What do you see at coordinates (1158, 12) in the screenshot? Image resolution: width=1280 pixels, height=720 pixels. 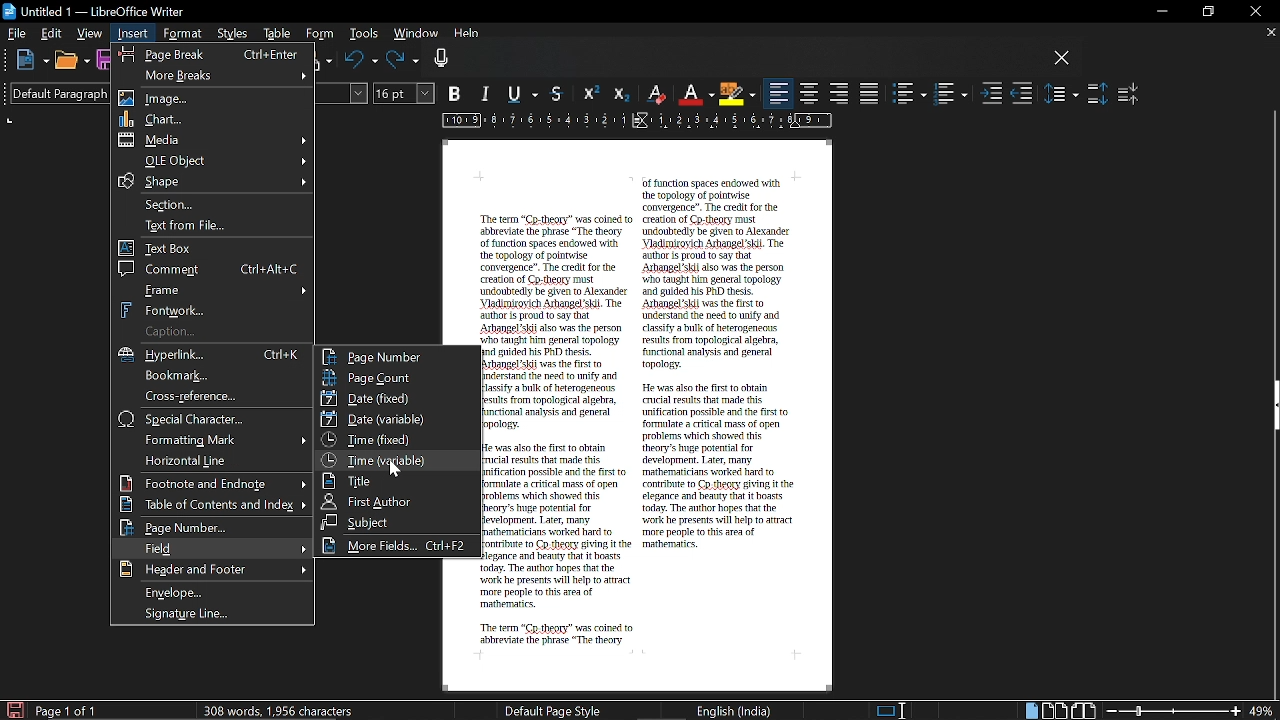 I see `Minimize` at bounding box center [1158, 12].